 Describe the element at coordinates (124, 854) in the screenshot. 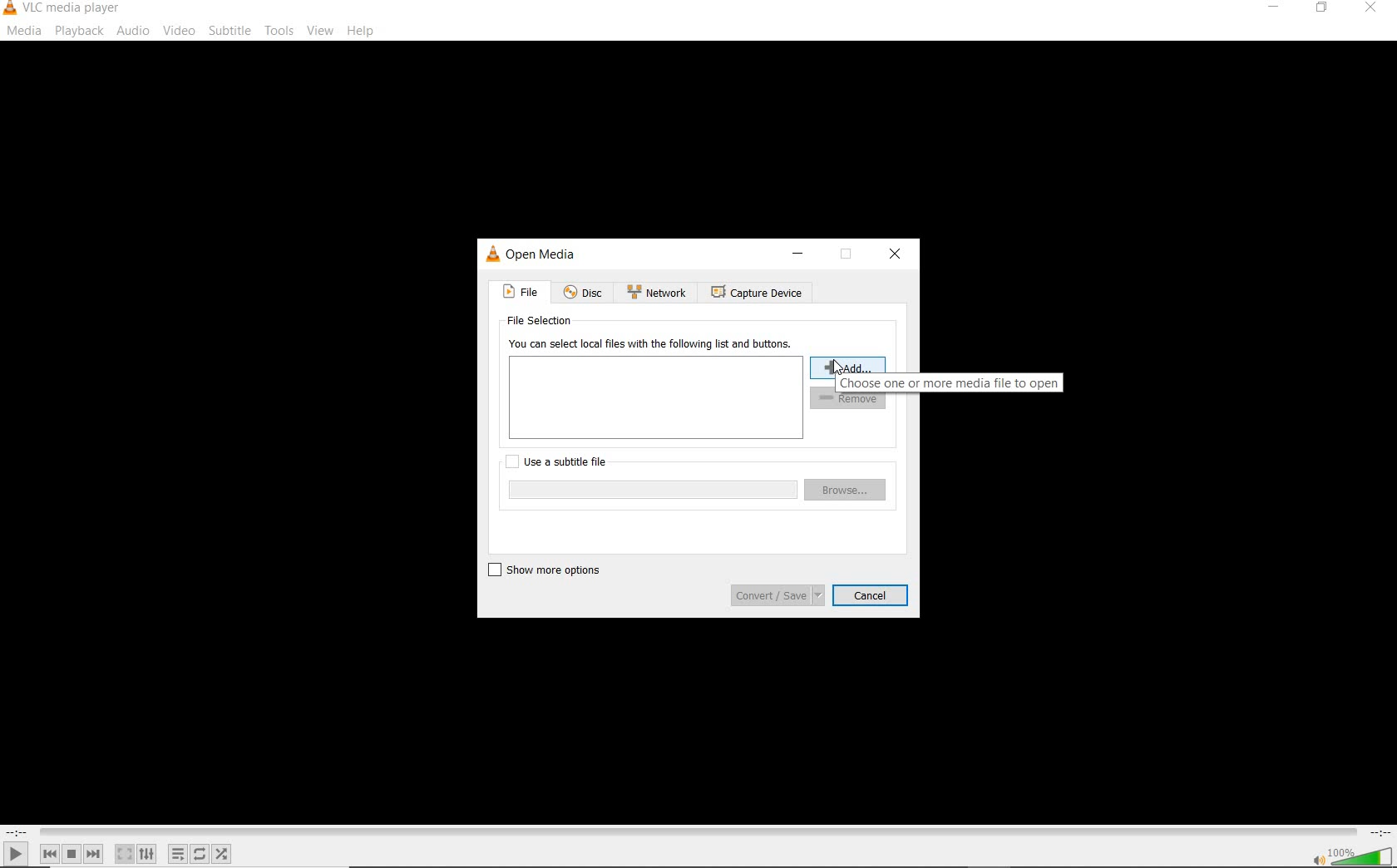

I see `toggle the video in fullscreen` at that location.